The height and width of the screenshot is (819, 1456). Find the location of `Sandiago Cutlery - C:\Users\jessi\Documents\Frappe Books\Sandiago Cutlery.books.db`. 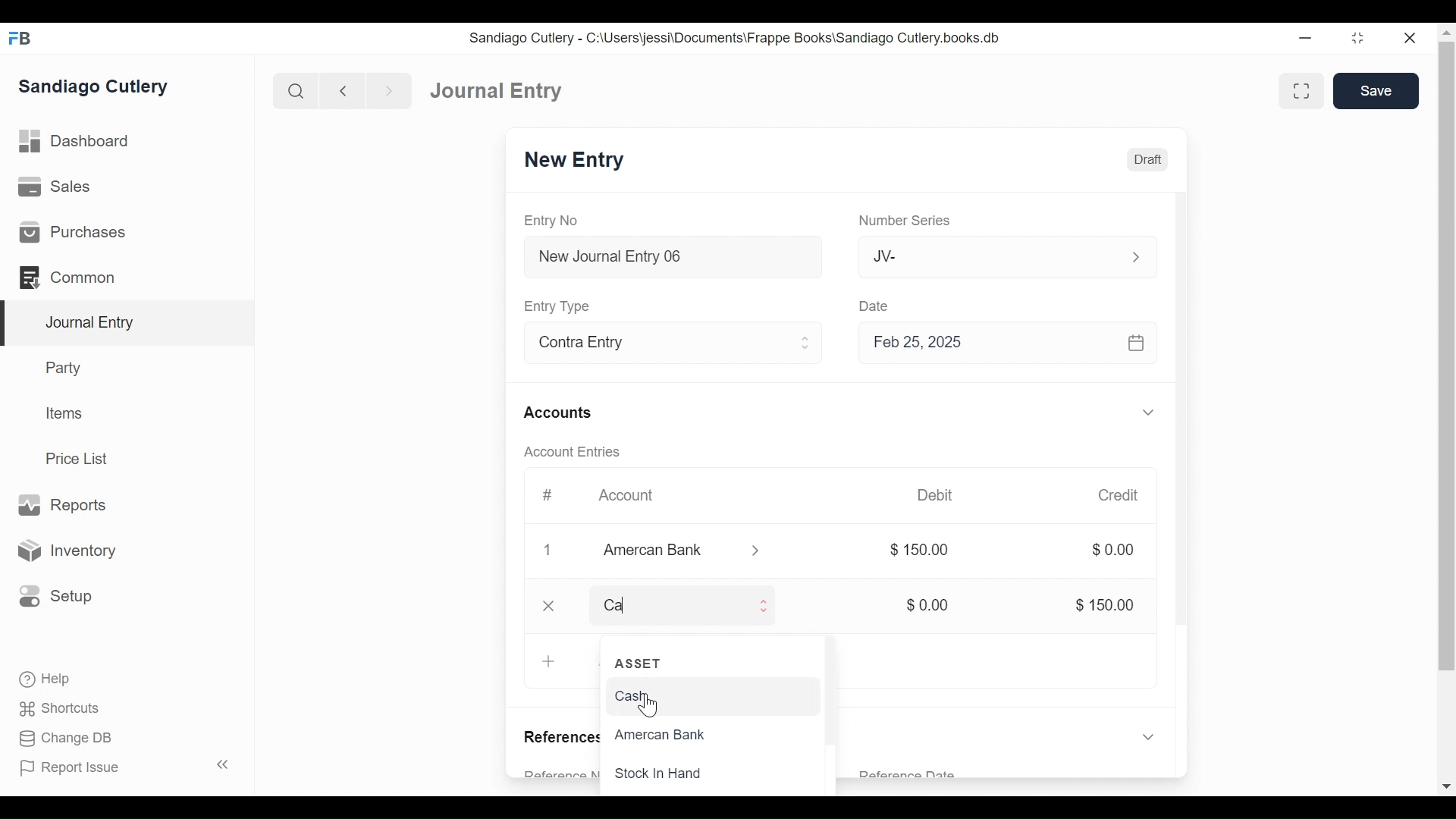

Sandiago Cutlery - C:\Users\jessi\Documents\Frappe Books\Sandiago Cutlery.books.db is located at coordinates (733, 38).